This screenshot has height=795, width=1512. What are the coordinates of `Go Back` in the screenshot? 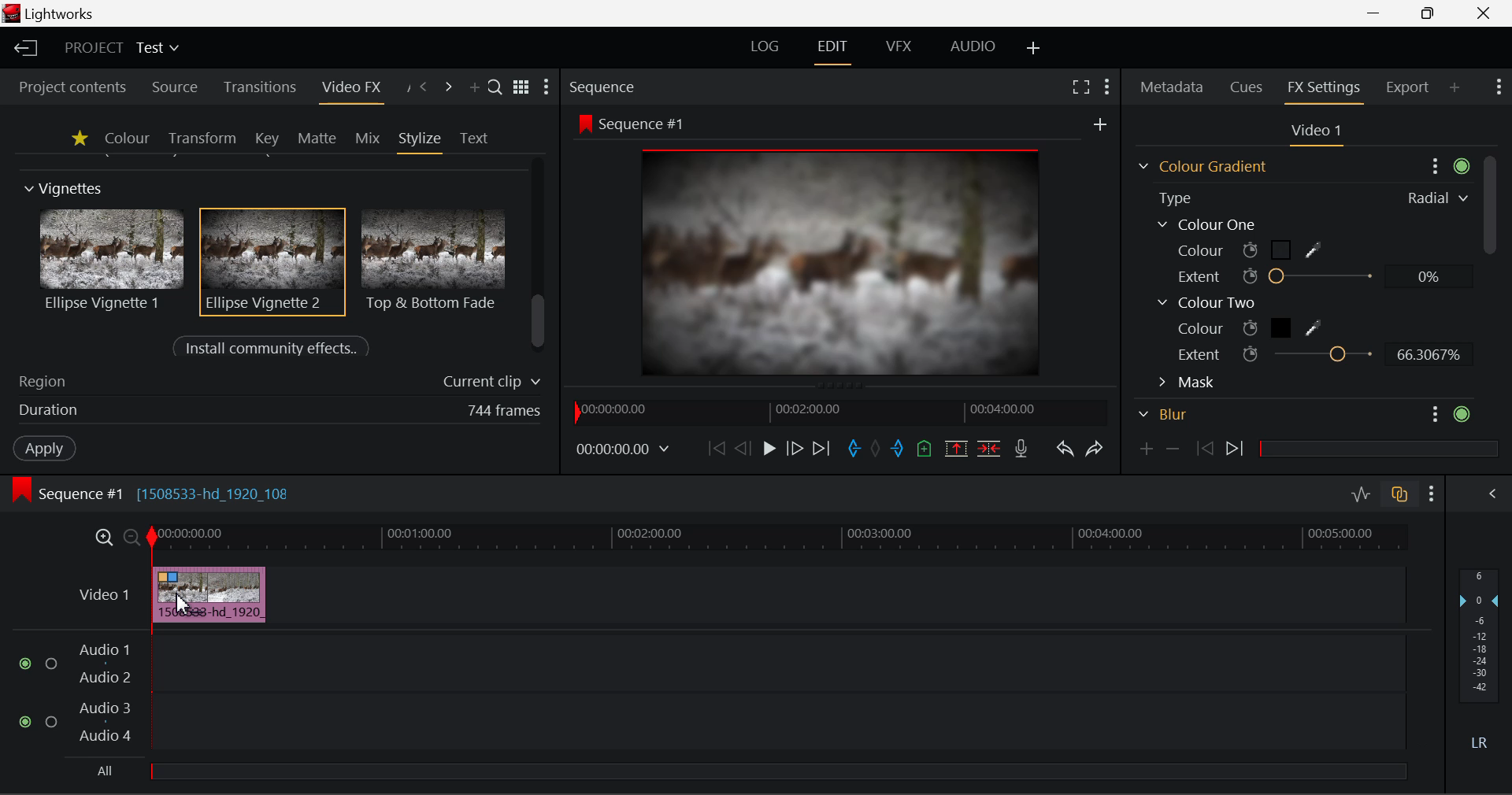 It's located at (743, 449).